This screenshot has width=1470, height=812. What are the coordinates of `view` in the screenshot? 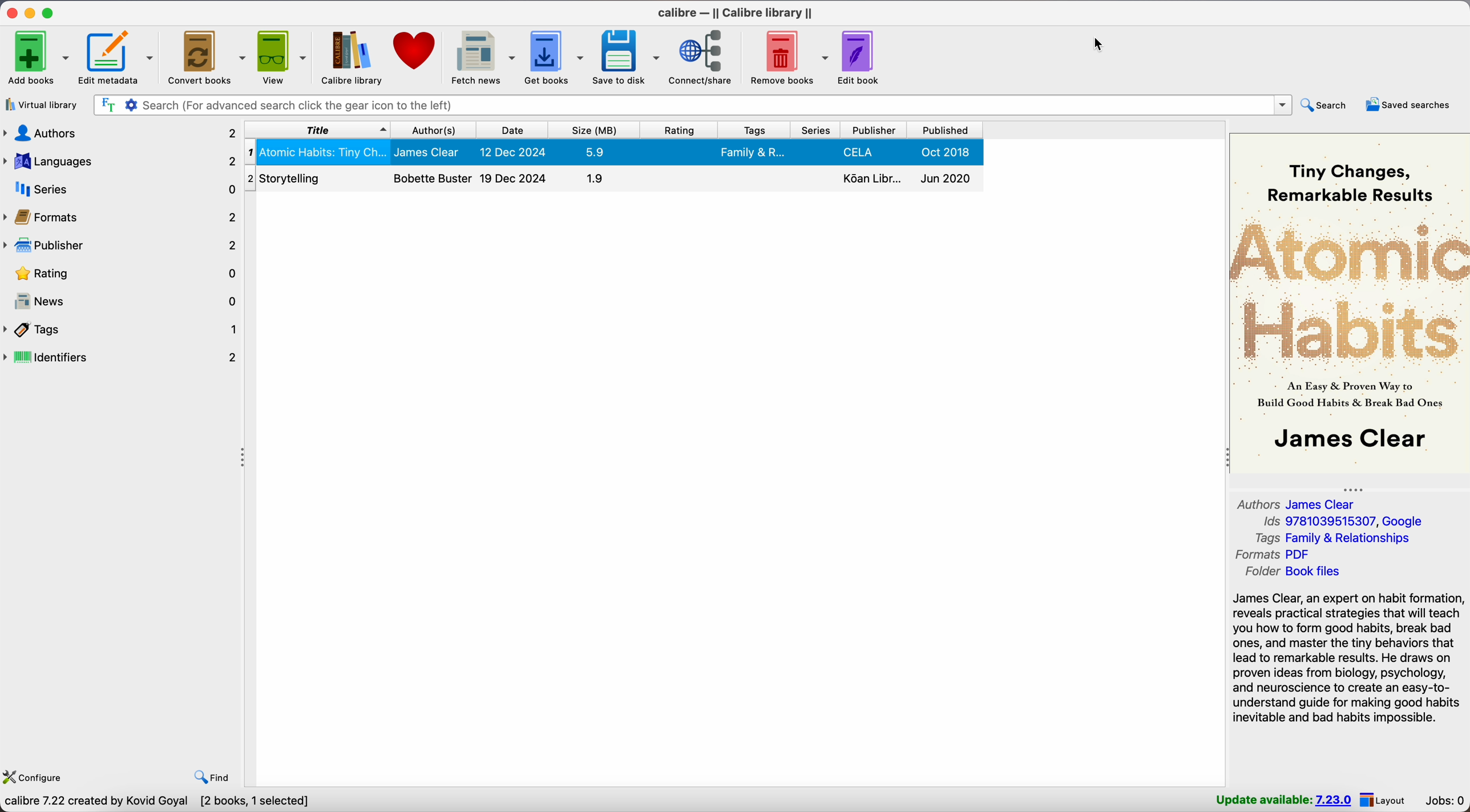 It's located at (281, 57).